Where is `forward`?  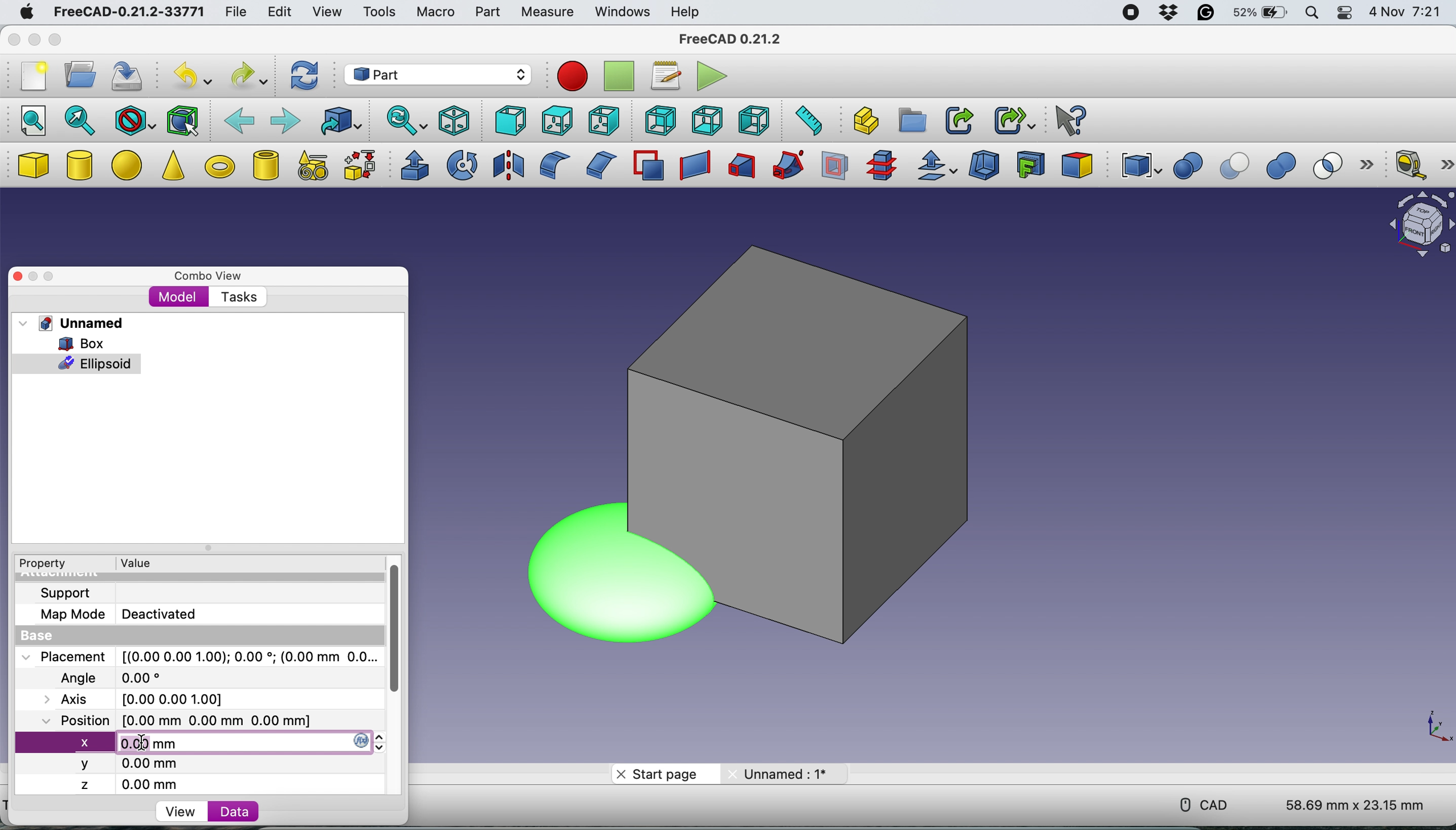 forward is located at coordinates (284, 119).